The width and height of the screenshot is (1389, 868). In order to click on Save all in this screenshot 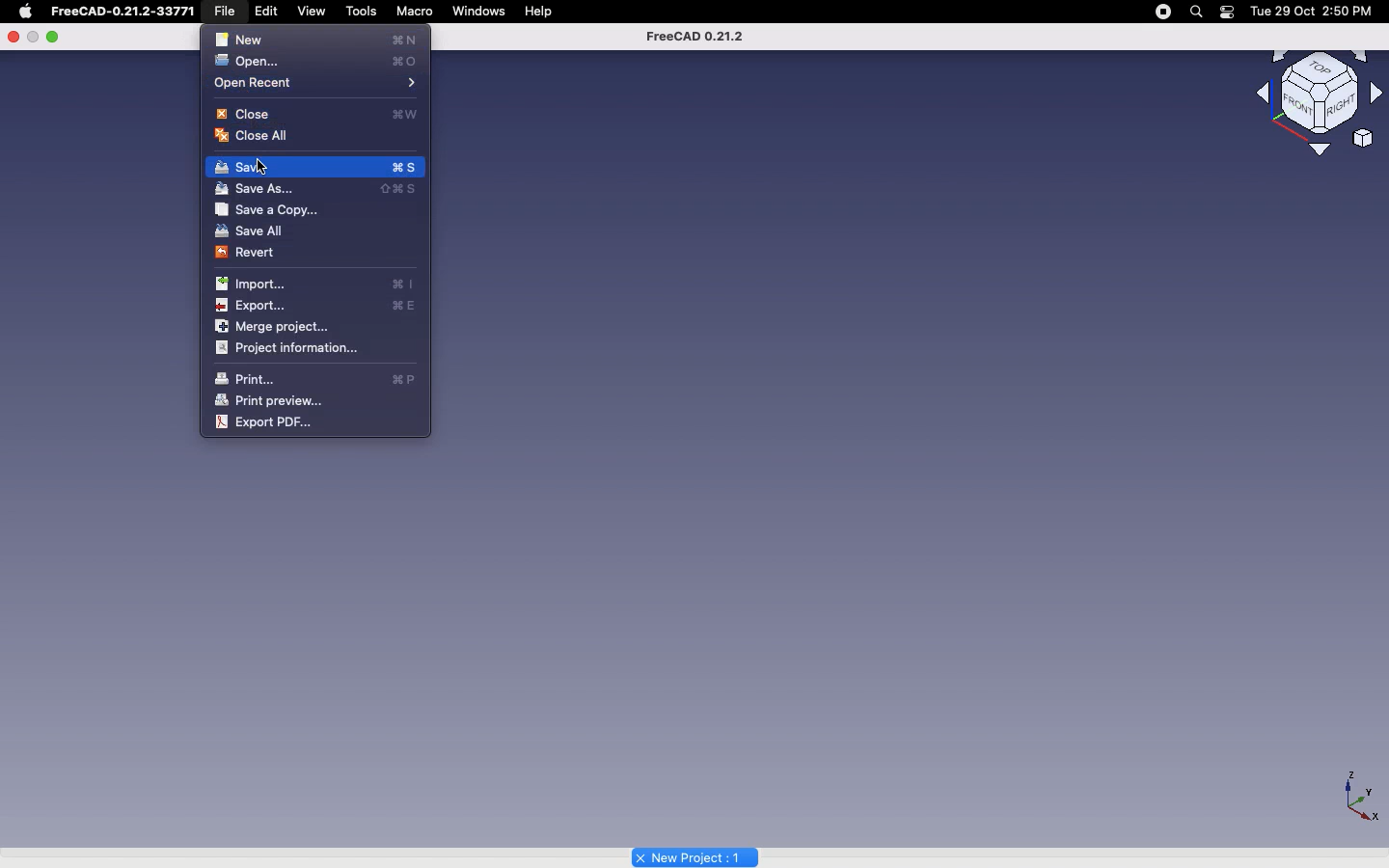, I will do `click(251, 231)`.